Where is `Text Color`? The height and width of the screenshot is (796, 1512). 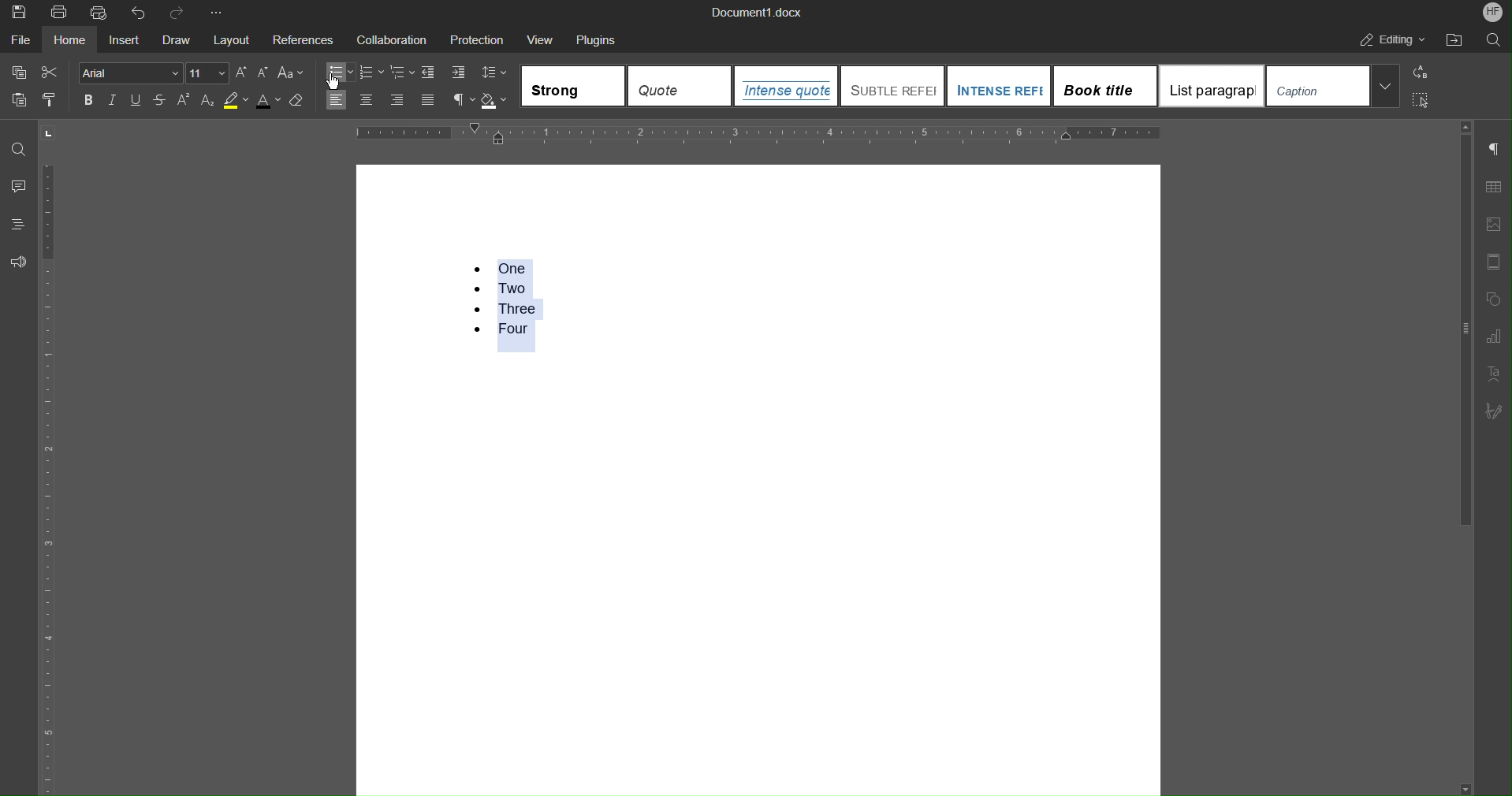
Text Color is located at coordinates (269, 101).